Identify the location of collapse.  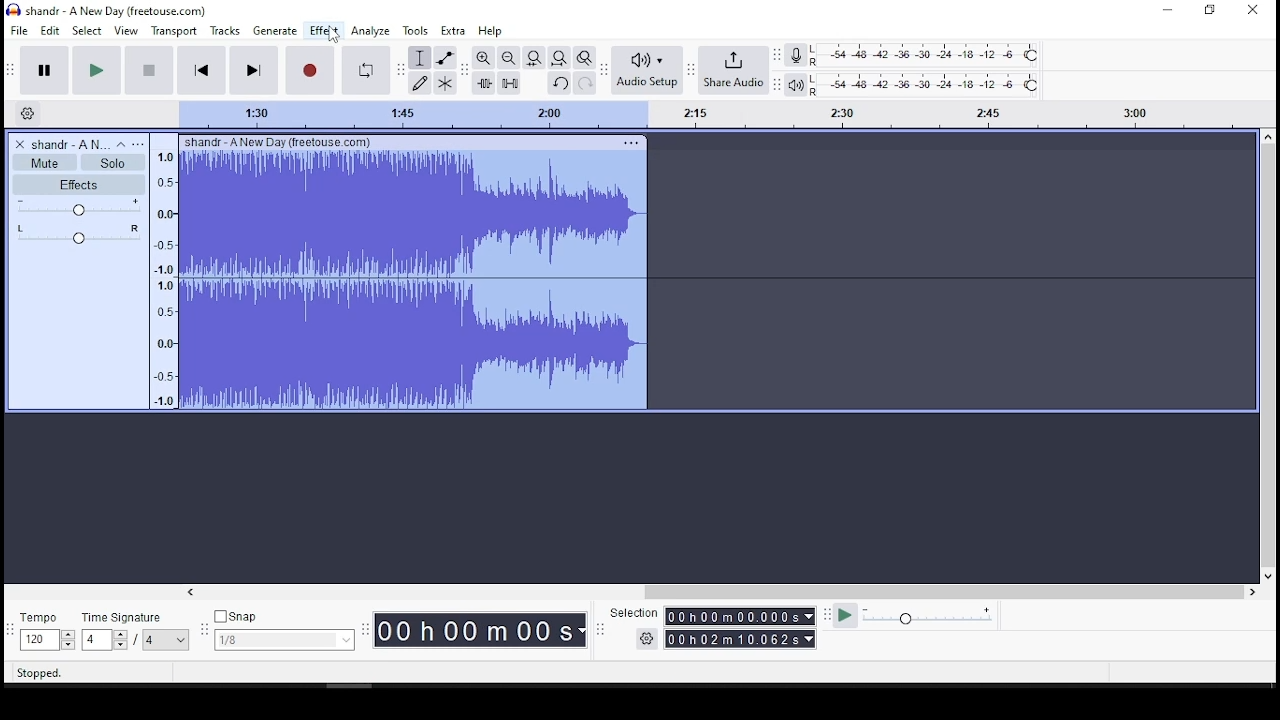
(121, 144).